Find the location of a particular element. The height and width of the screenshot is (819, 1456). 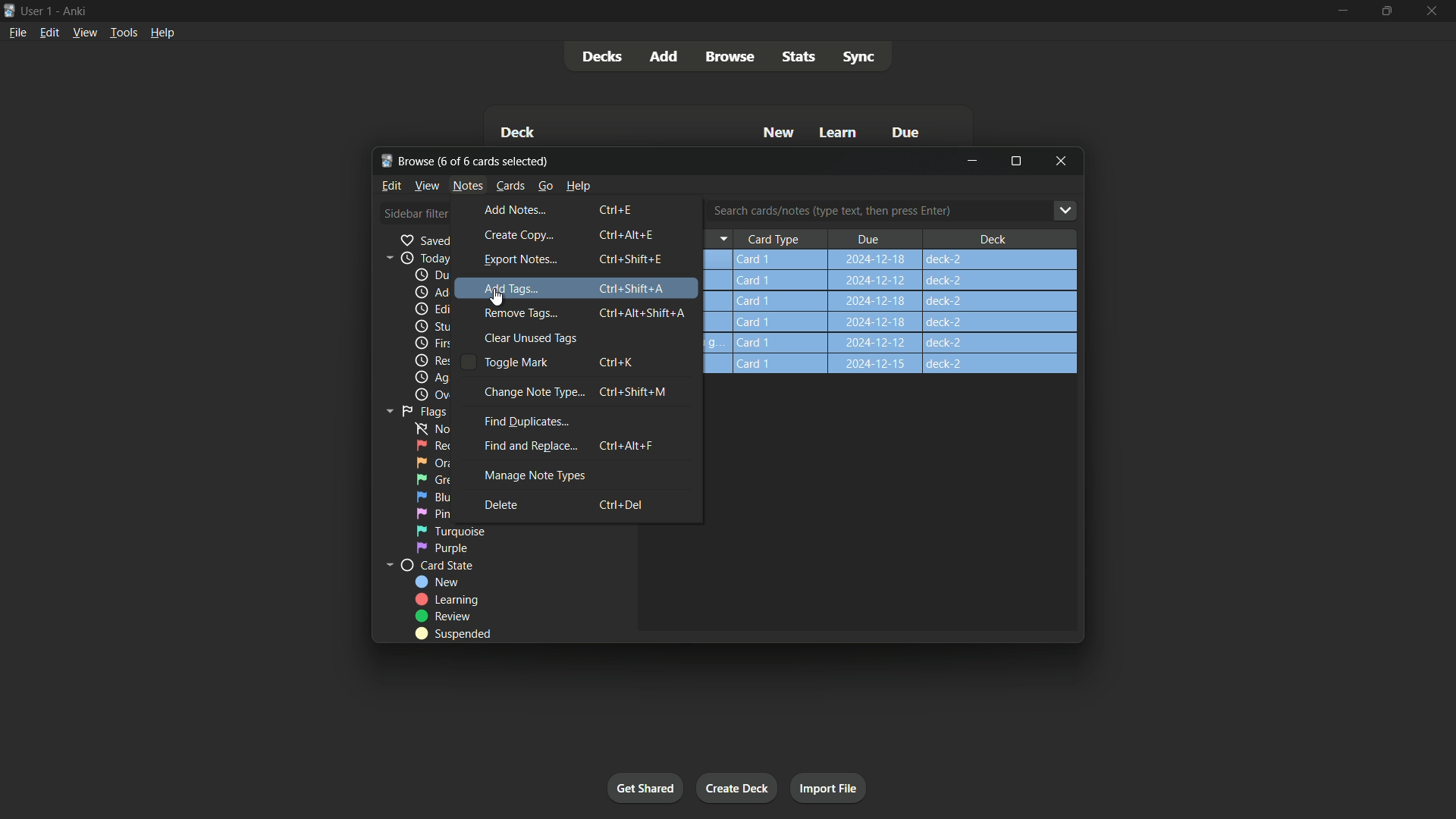

Search cards/notes (type text, then press Enter) is located at coordinates (898, 212).